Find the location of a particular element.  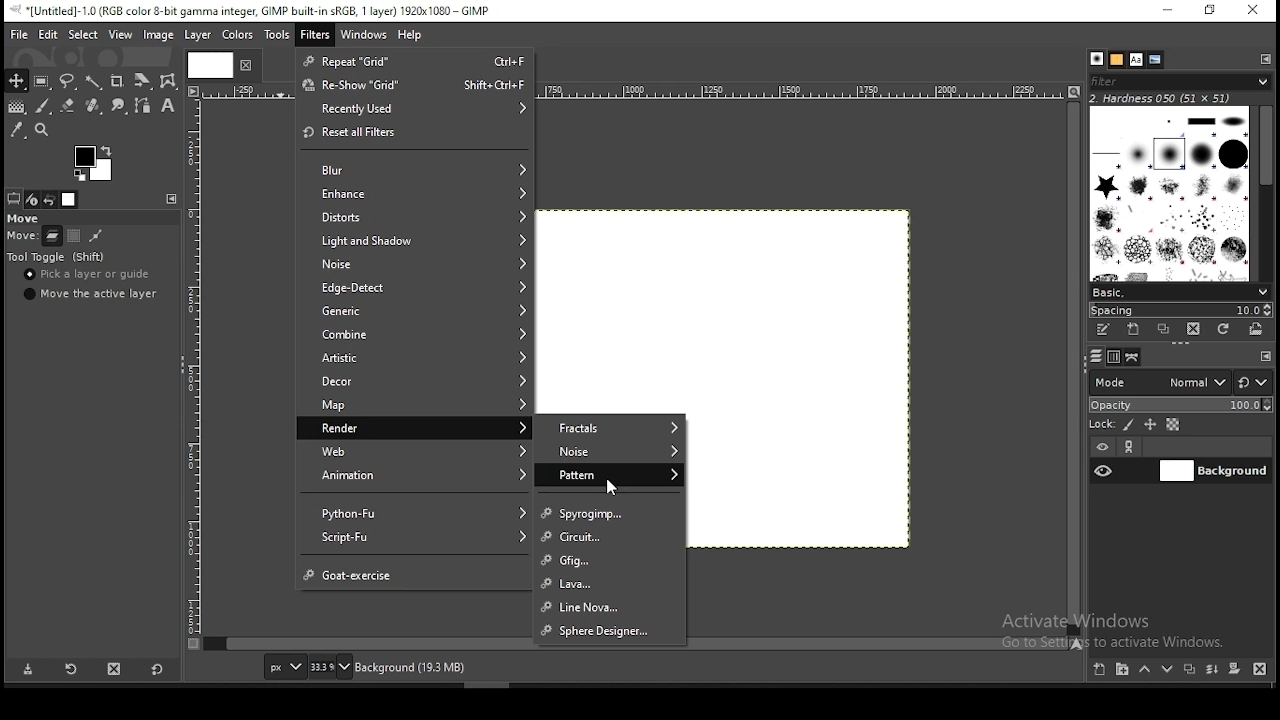

edit is located at coordinates (48, 35).